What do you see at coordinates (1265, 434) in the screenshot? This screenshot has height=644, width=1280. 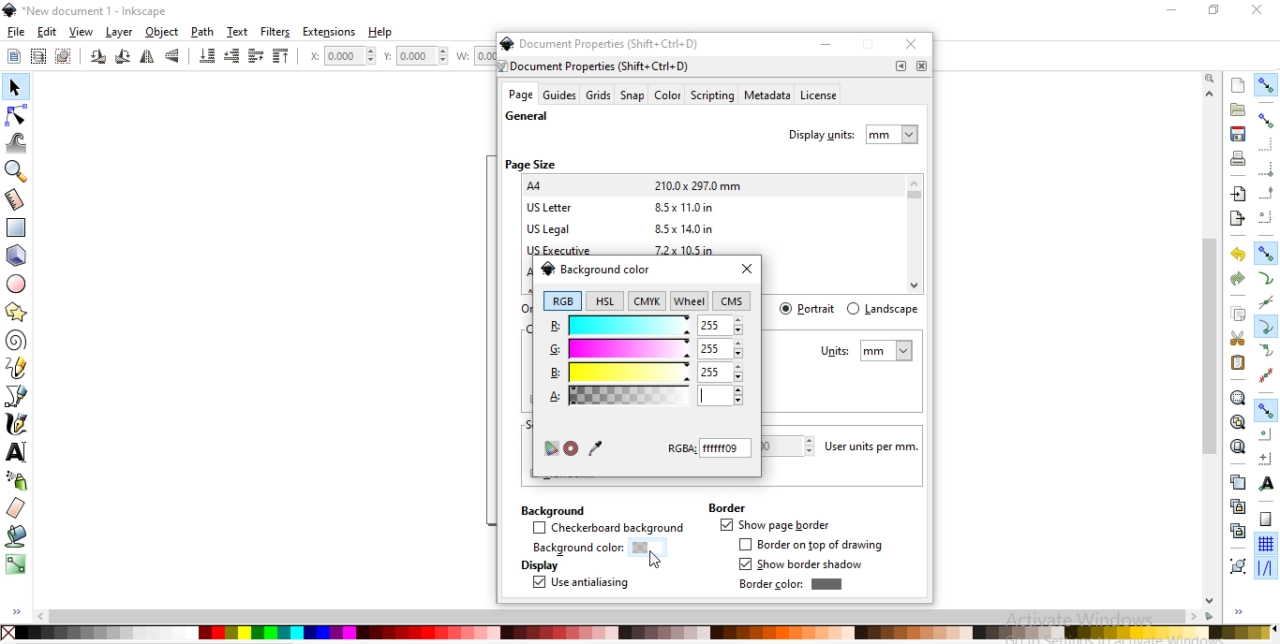 I see `snap centers of objects` at bounding box center [1265, 434].